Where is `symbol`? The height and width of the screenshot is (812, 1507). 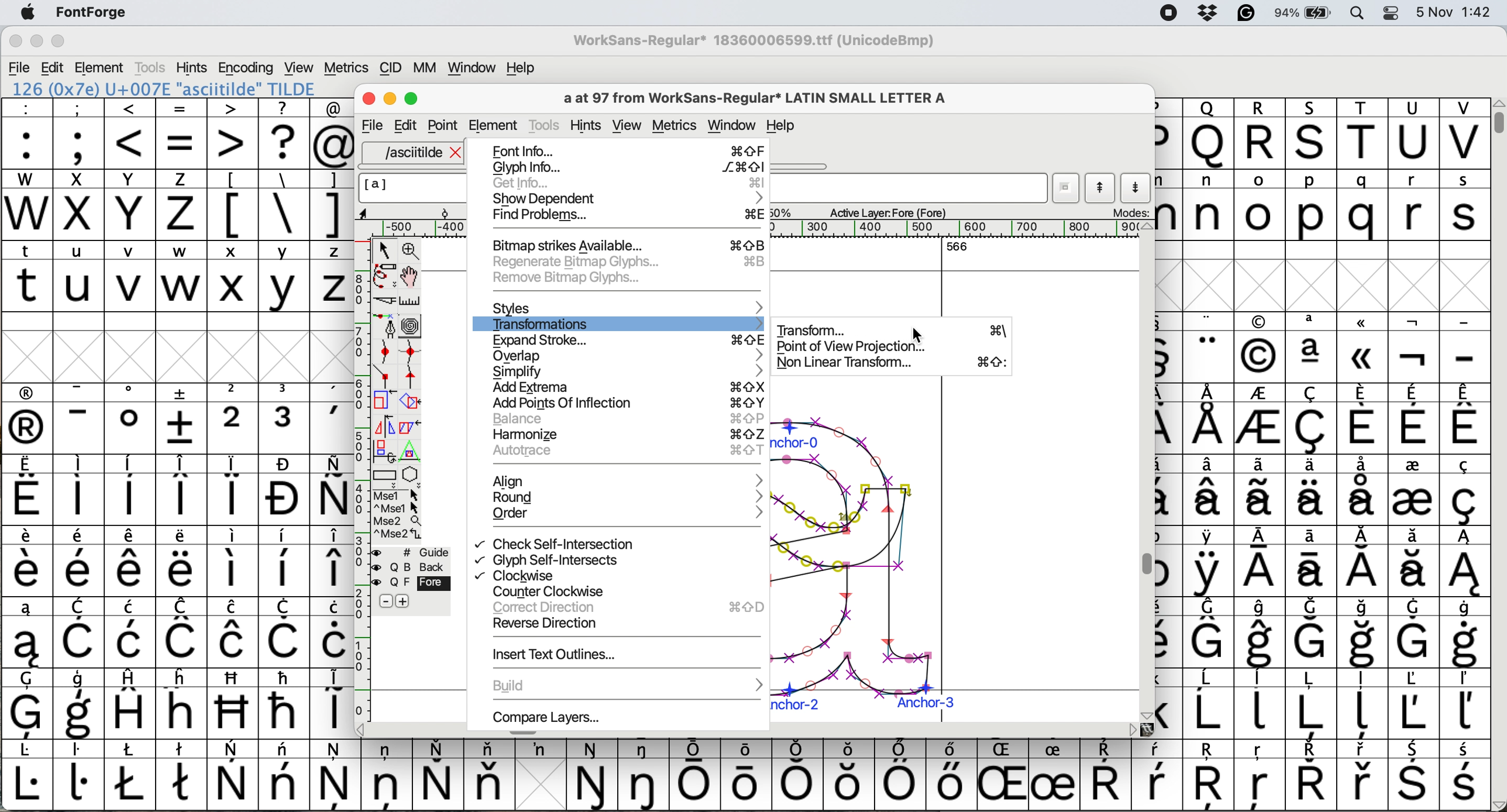 symbol is located at coordinates (1413, 419).